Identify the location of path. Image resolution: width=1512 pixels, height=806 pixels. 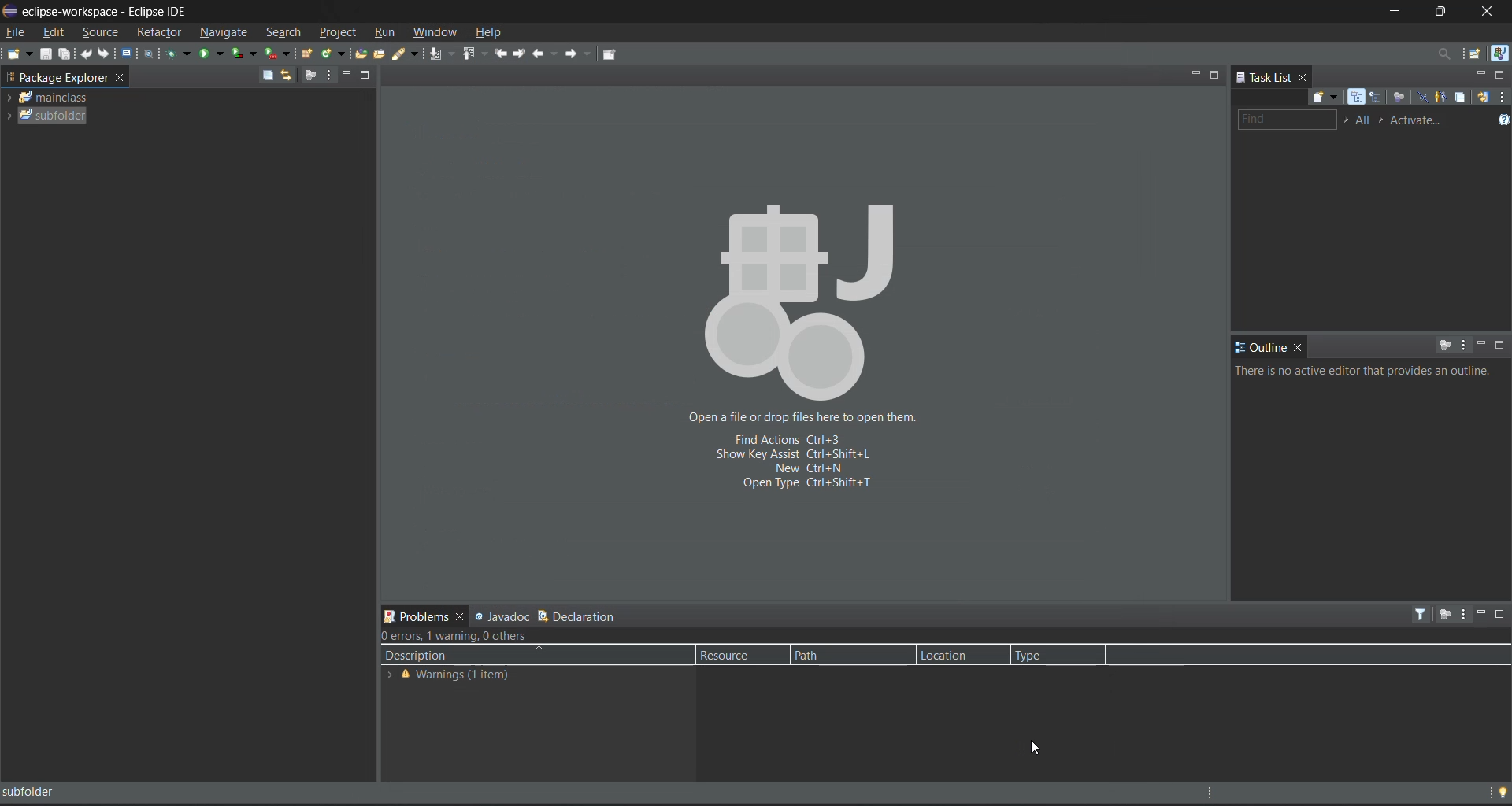
(850, 655).